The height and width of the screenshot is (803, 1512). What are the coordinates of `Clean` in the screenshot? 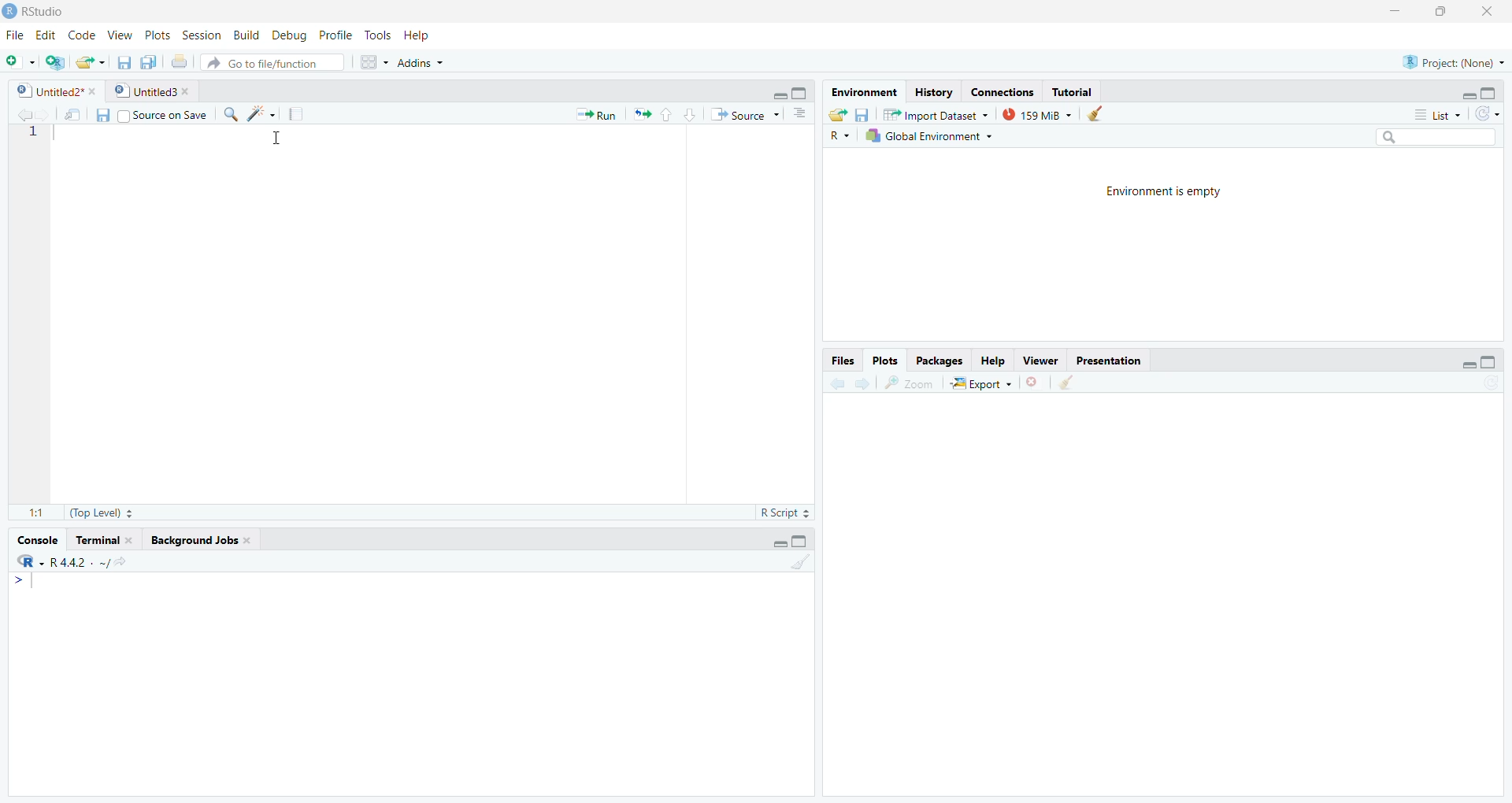 It's located at (799, 561).